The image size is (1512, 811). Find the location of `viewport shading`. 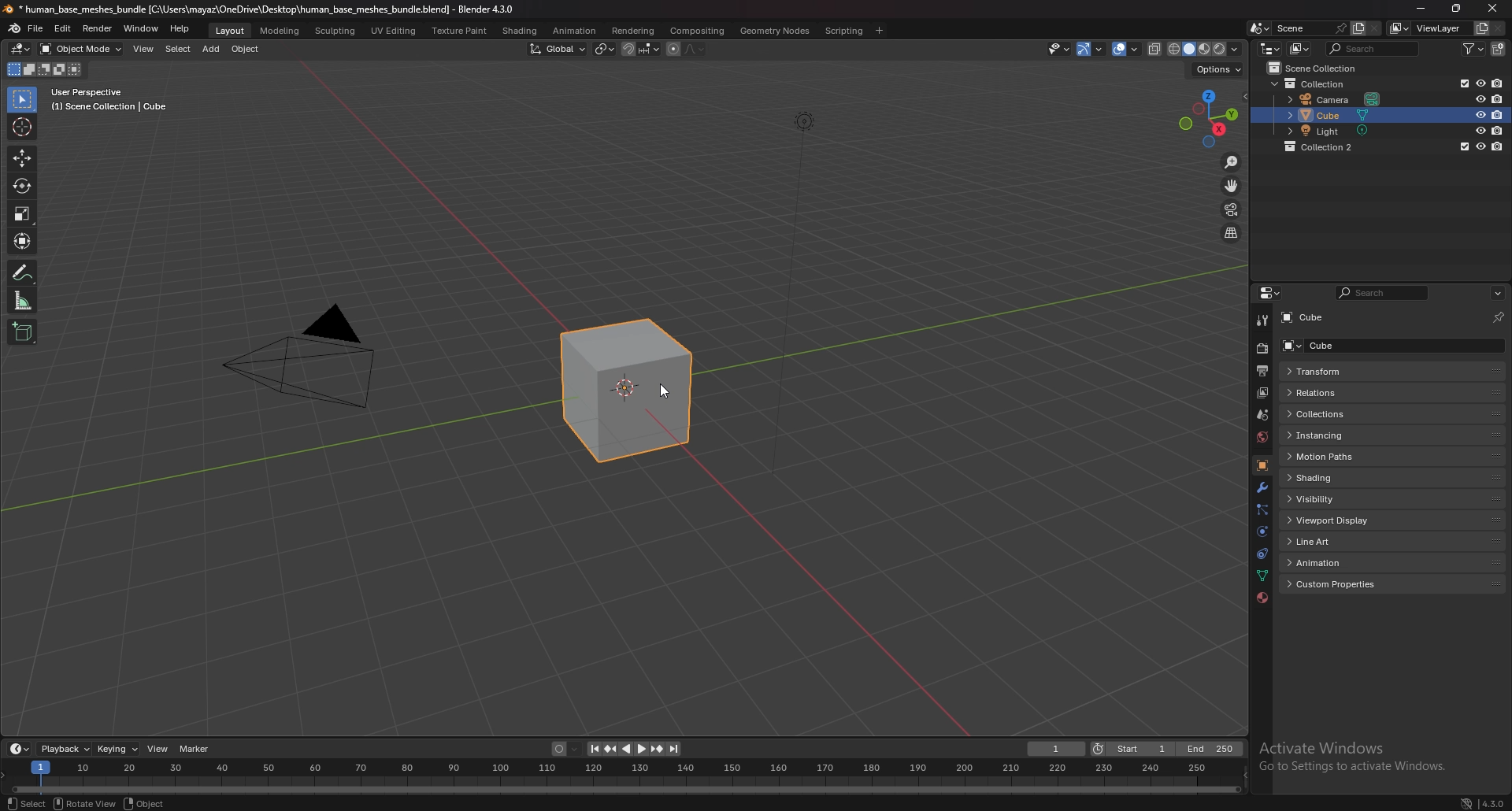

viewport shading is located at coordinates (1196, 48).